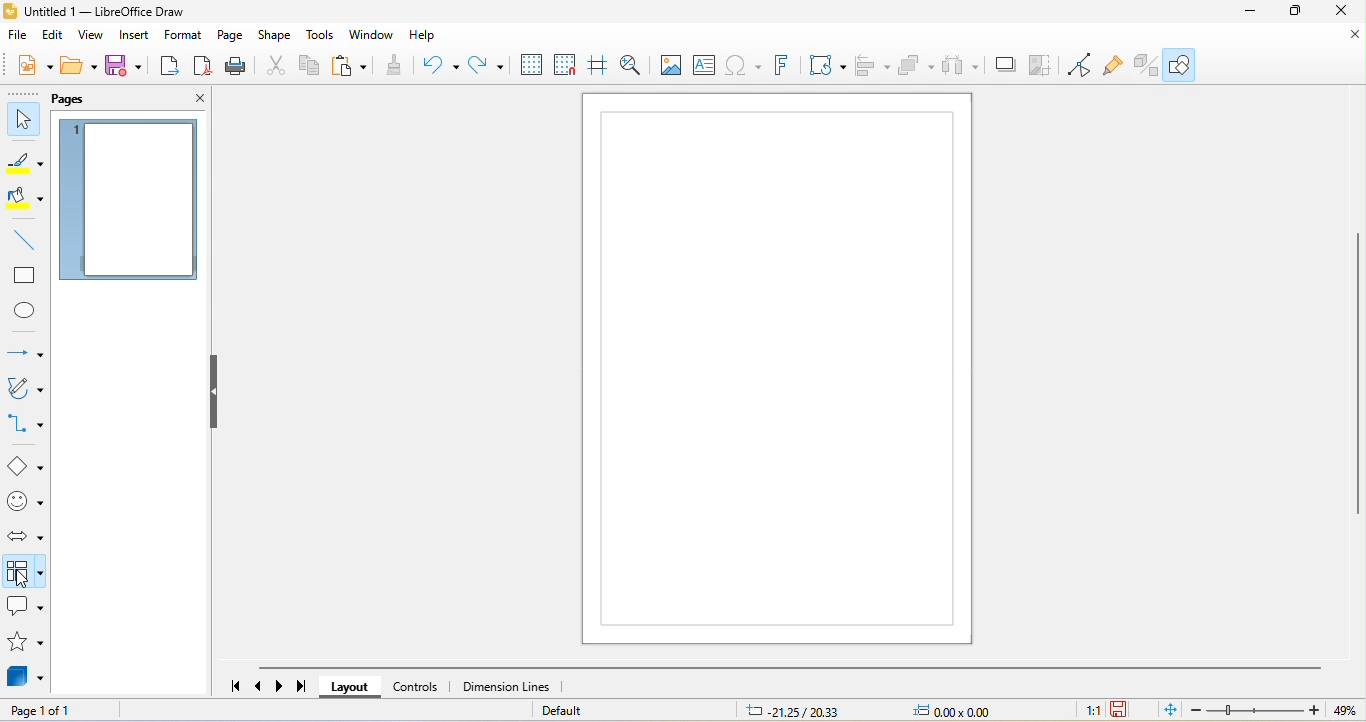 The height and width of the screenshot is (722, 1366). Describe the element at coordinates (373, 38) in the screenshot. I see `window` at that location.